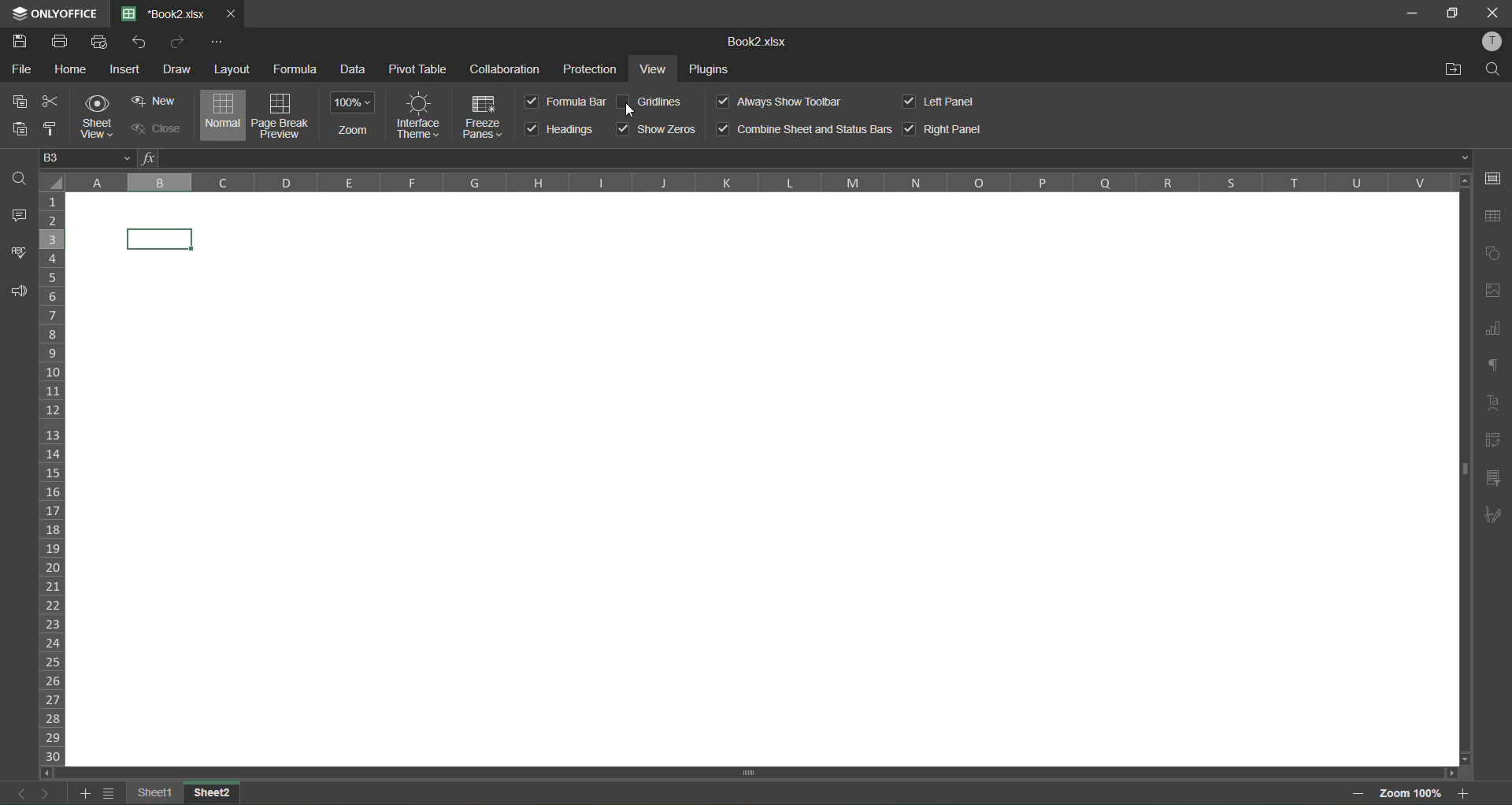 Image resolution: width=1512 pixels, height=805 pixels. Describe the element at coordinates (561, 130) in the screenshot. I see `heading` at that location.